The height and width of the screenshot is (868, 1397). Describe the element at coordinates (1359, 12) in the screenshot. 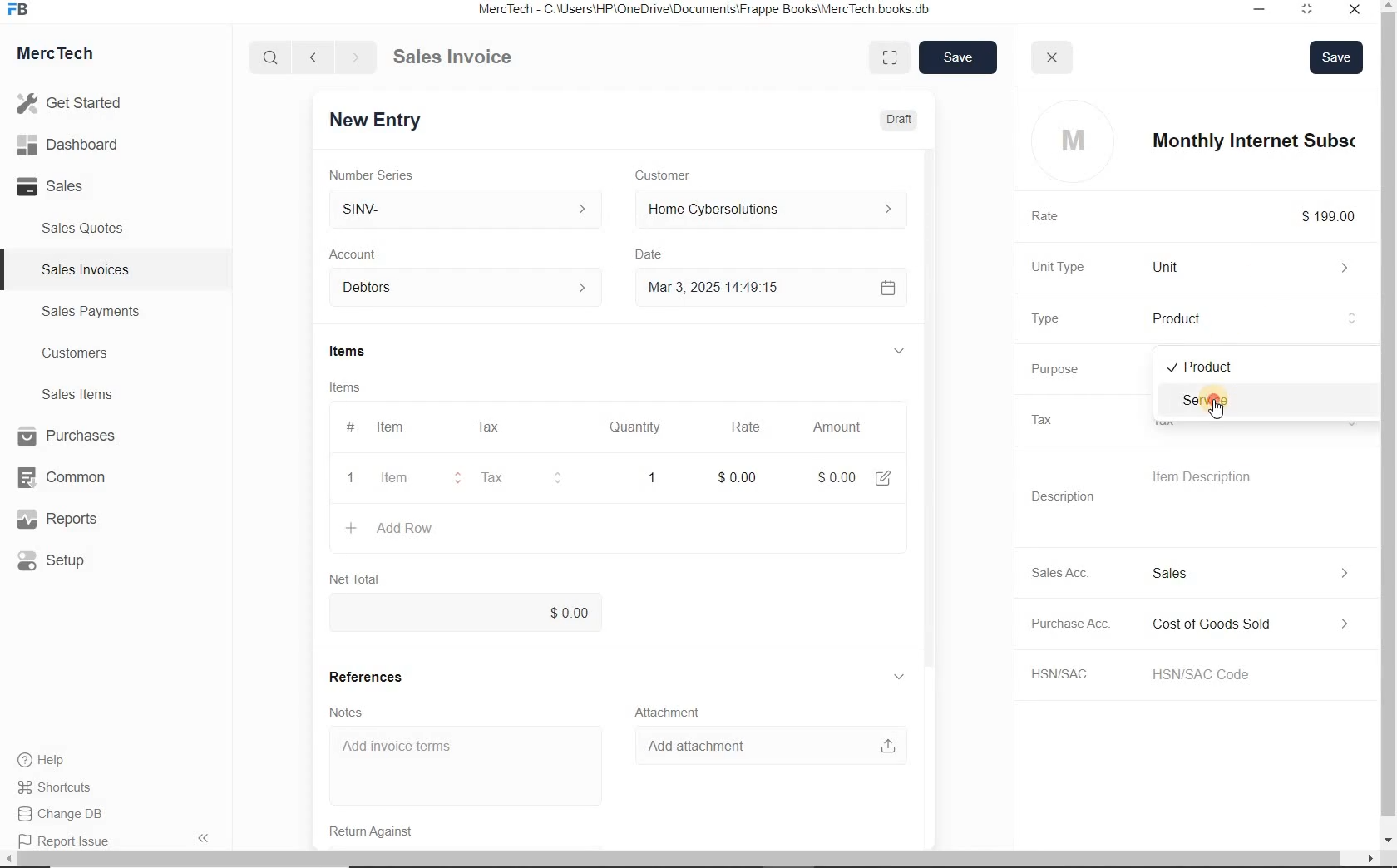

I see `Close` at that location.